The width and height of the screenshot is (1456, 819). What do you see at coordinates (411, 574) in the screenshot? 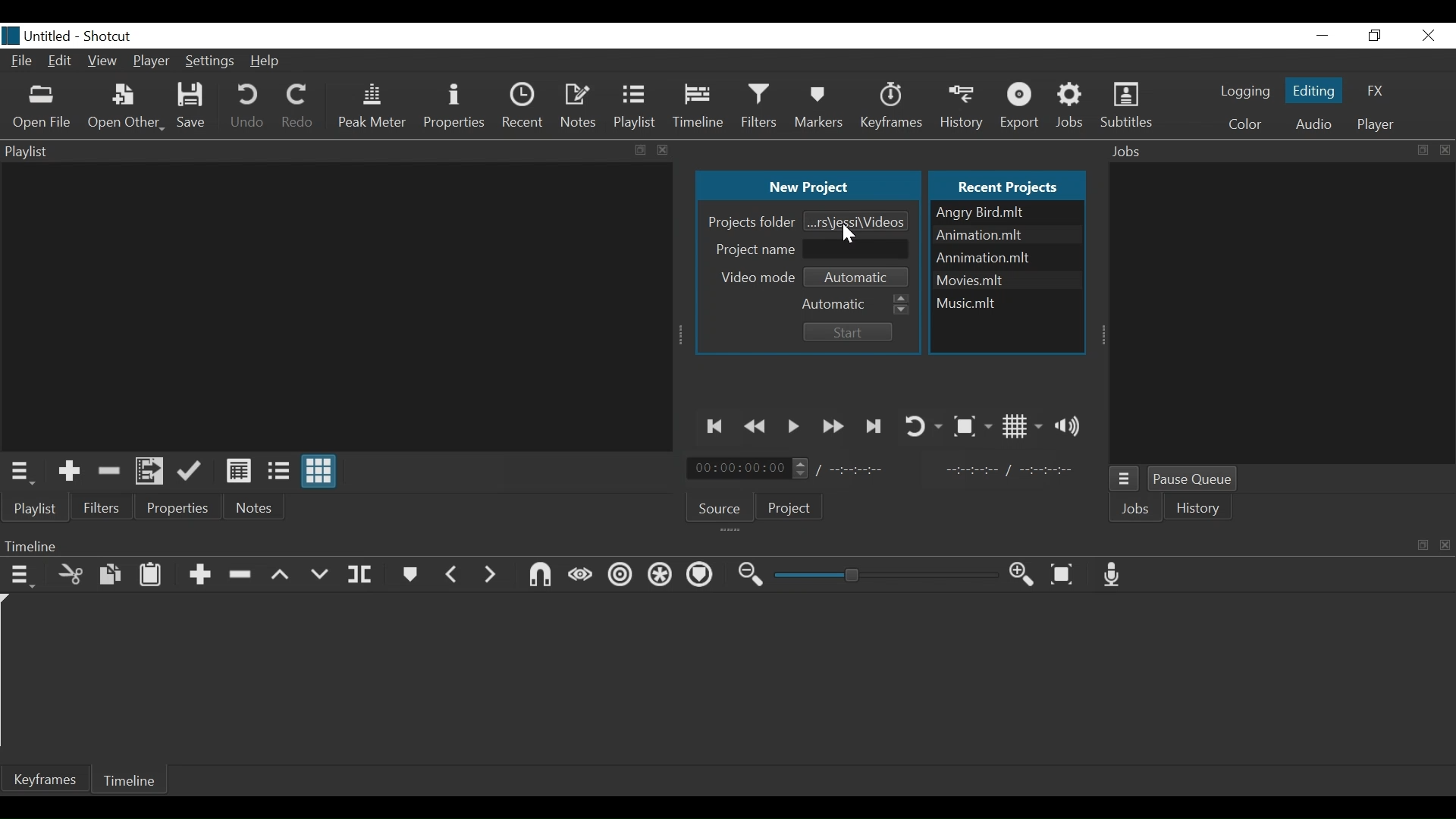
I see `Markers` at bounding box center [411, 574].